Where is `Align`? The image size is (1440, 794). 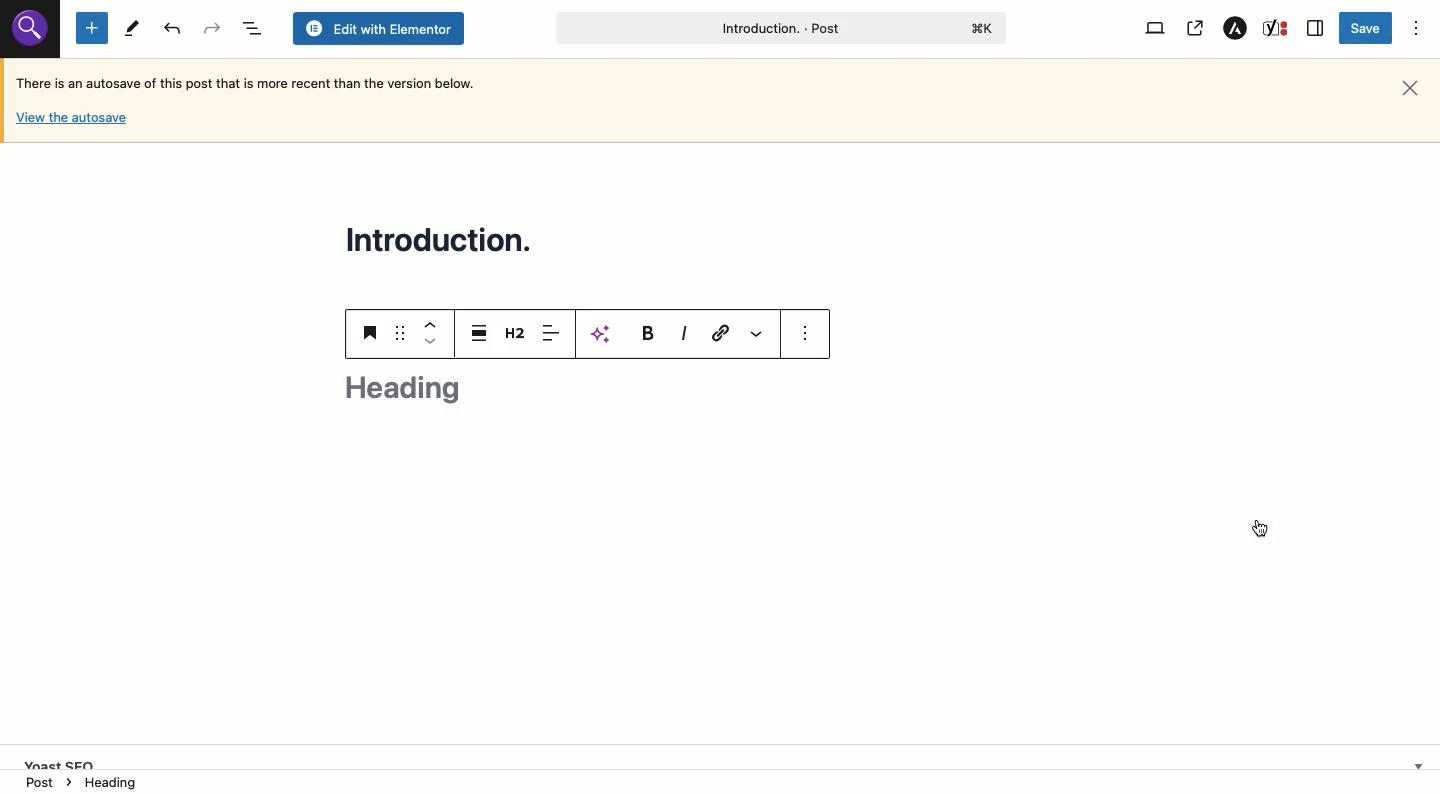 Align is located at coordinates (552, 335).